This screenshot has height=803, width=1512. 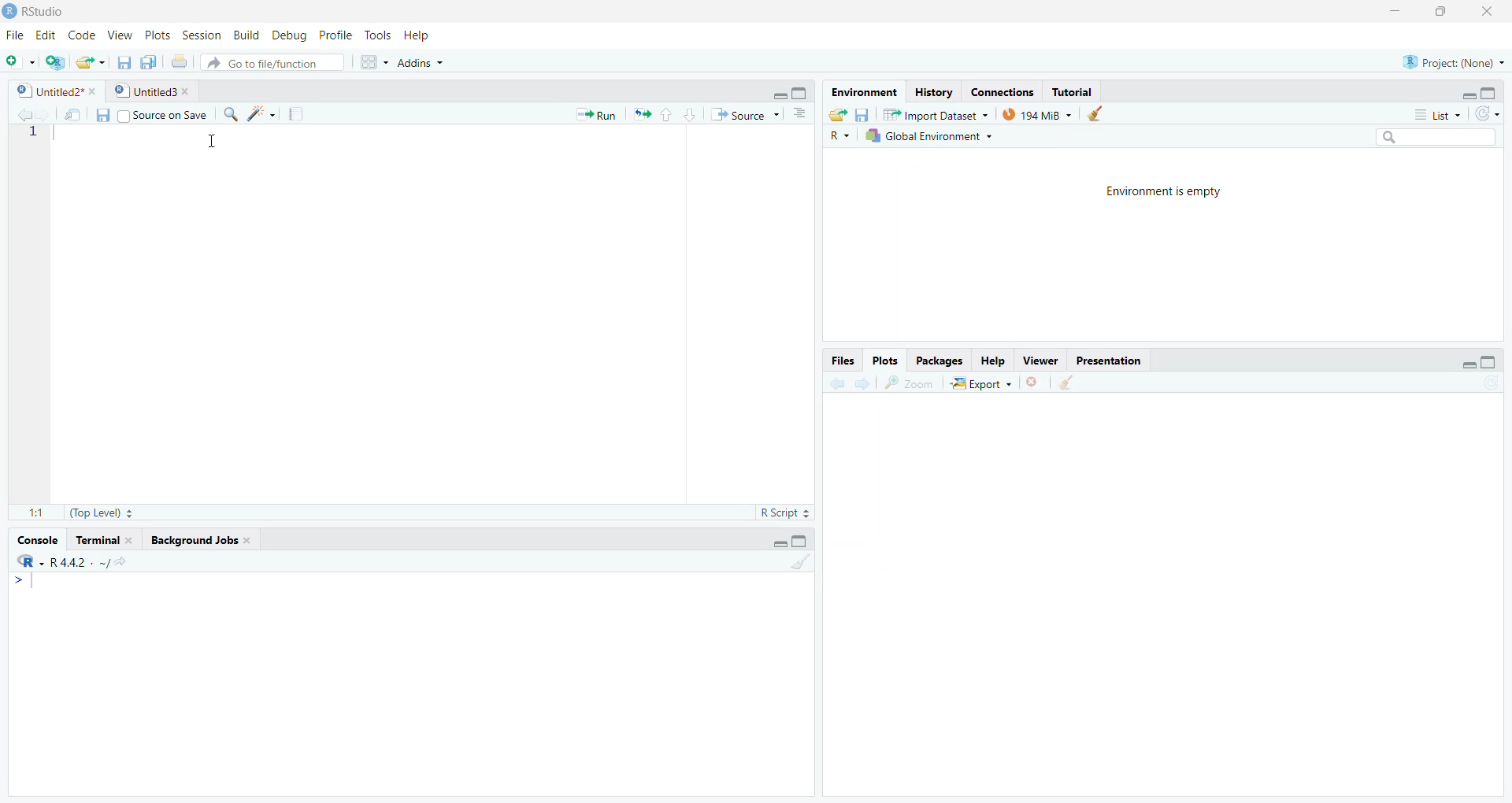 I want to click on Minimize, so click(x=1468, y=95).